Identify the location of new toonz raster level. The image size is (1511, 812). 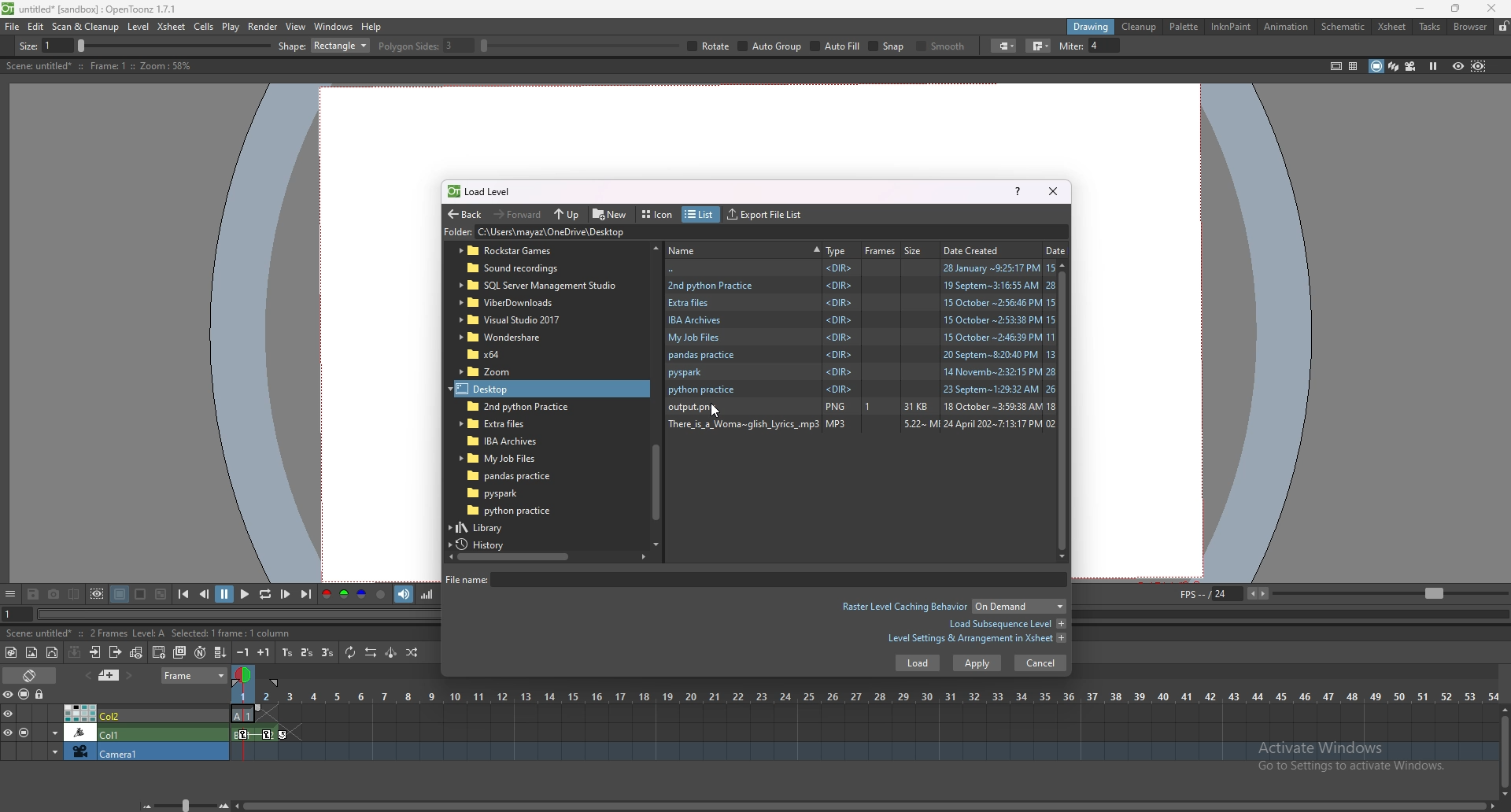
(12, 652).